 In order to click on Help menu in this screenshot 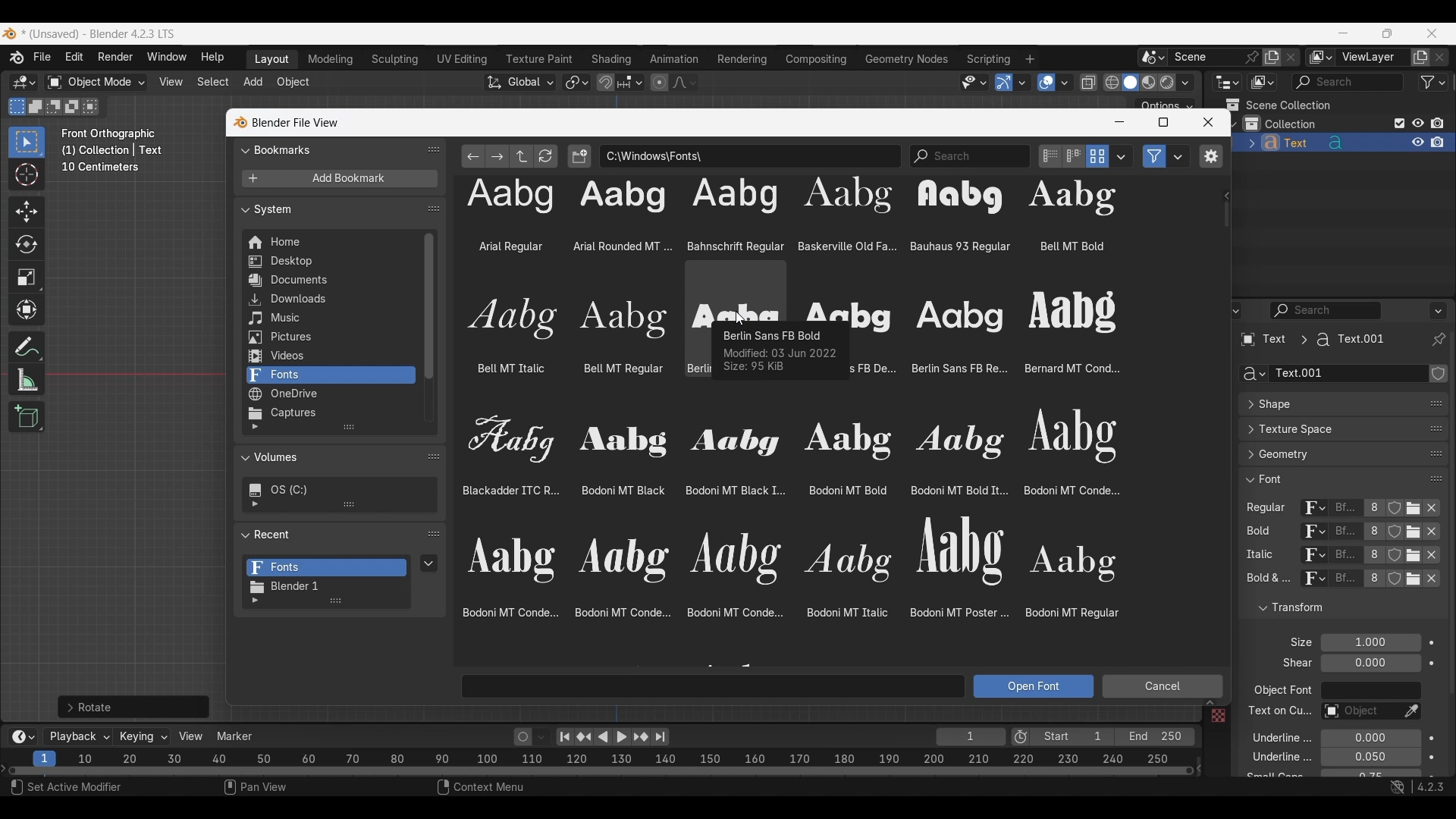, I will do `click(211, 58)`.